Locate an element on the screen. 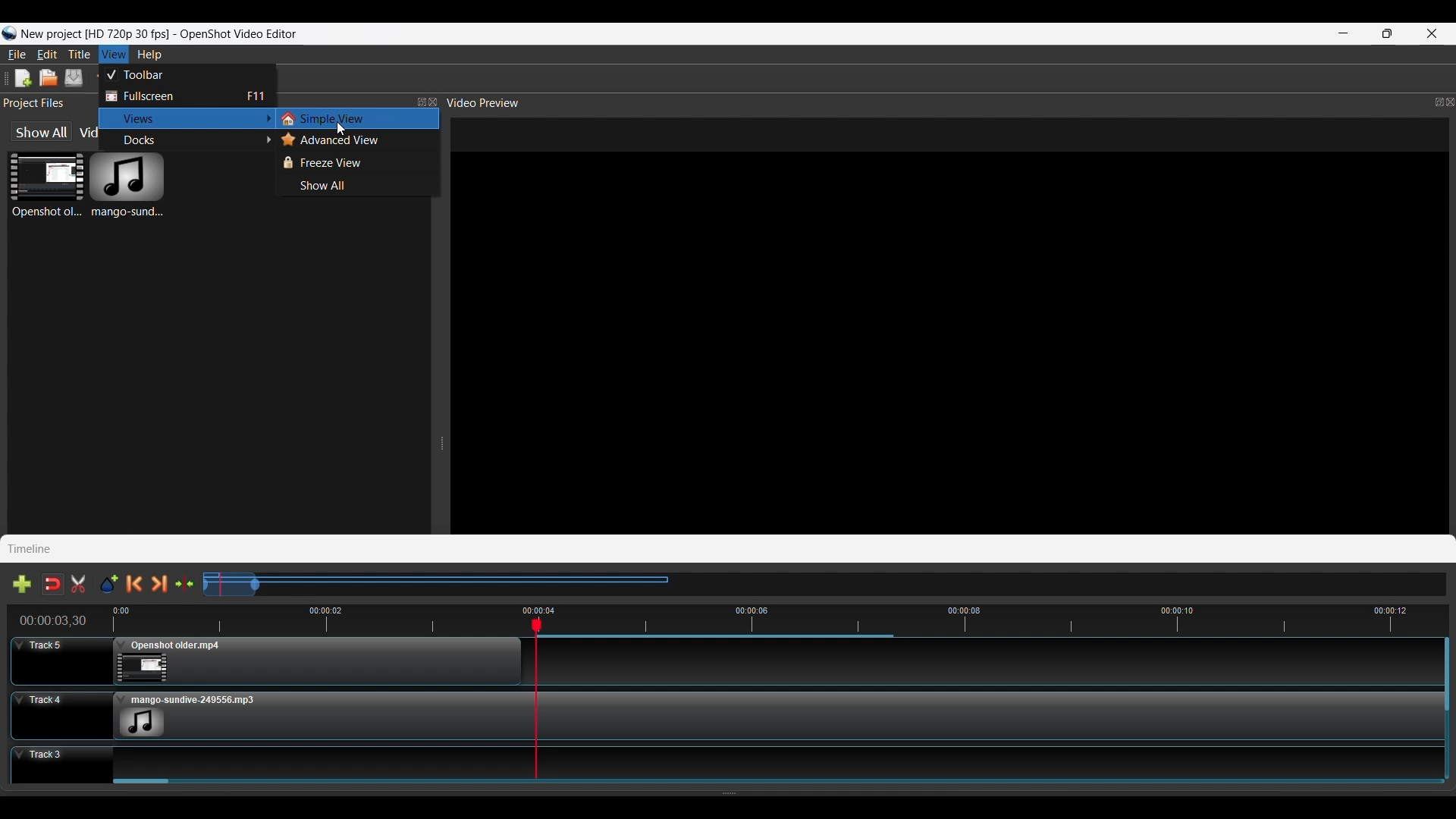 Image resolution: width=1456 pixels, height=819 pixels. Show All is located at coordinates (355, 184).